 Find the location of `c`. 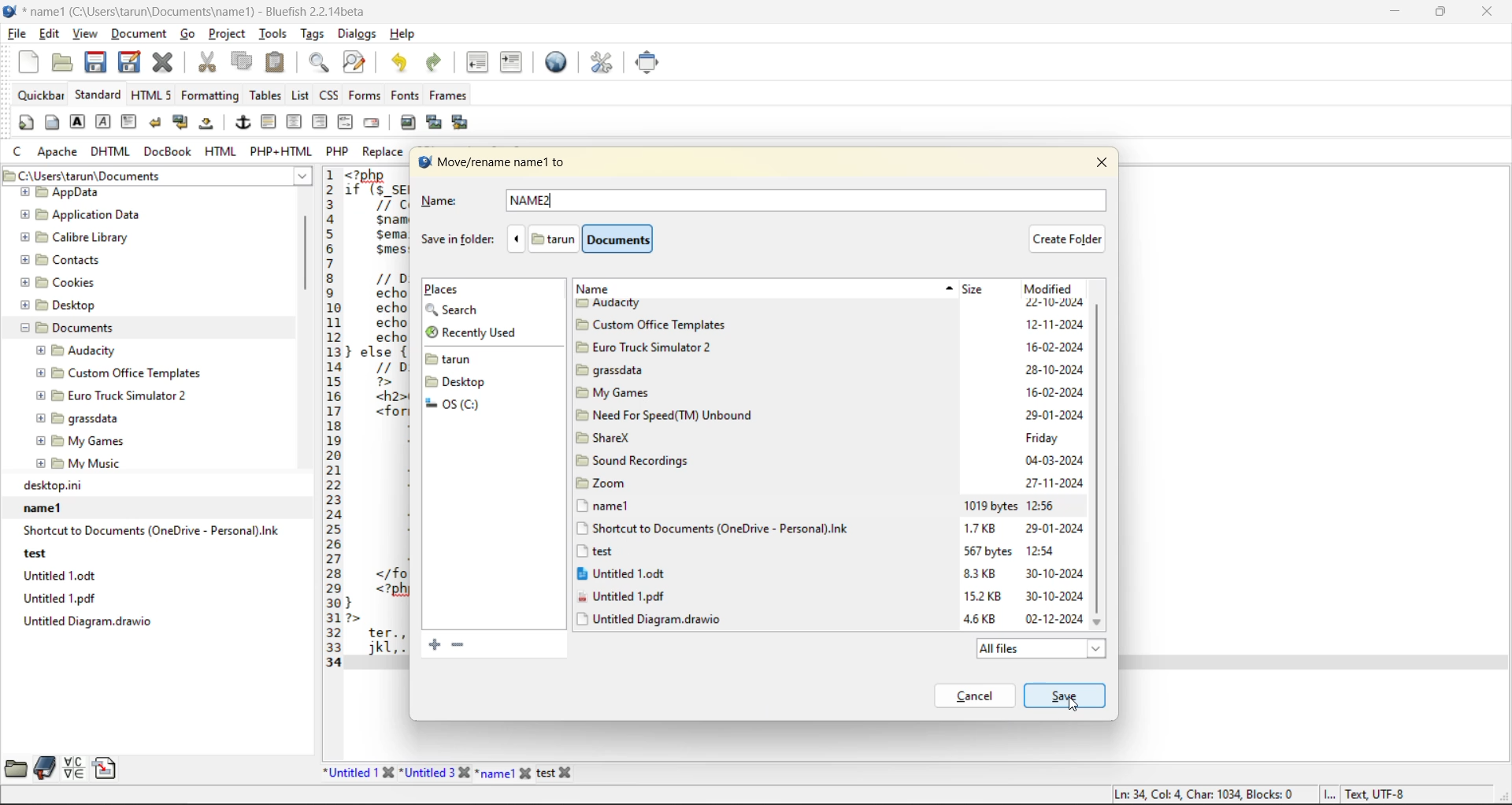

c is located at coordinates (18, 150).